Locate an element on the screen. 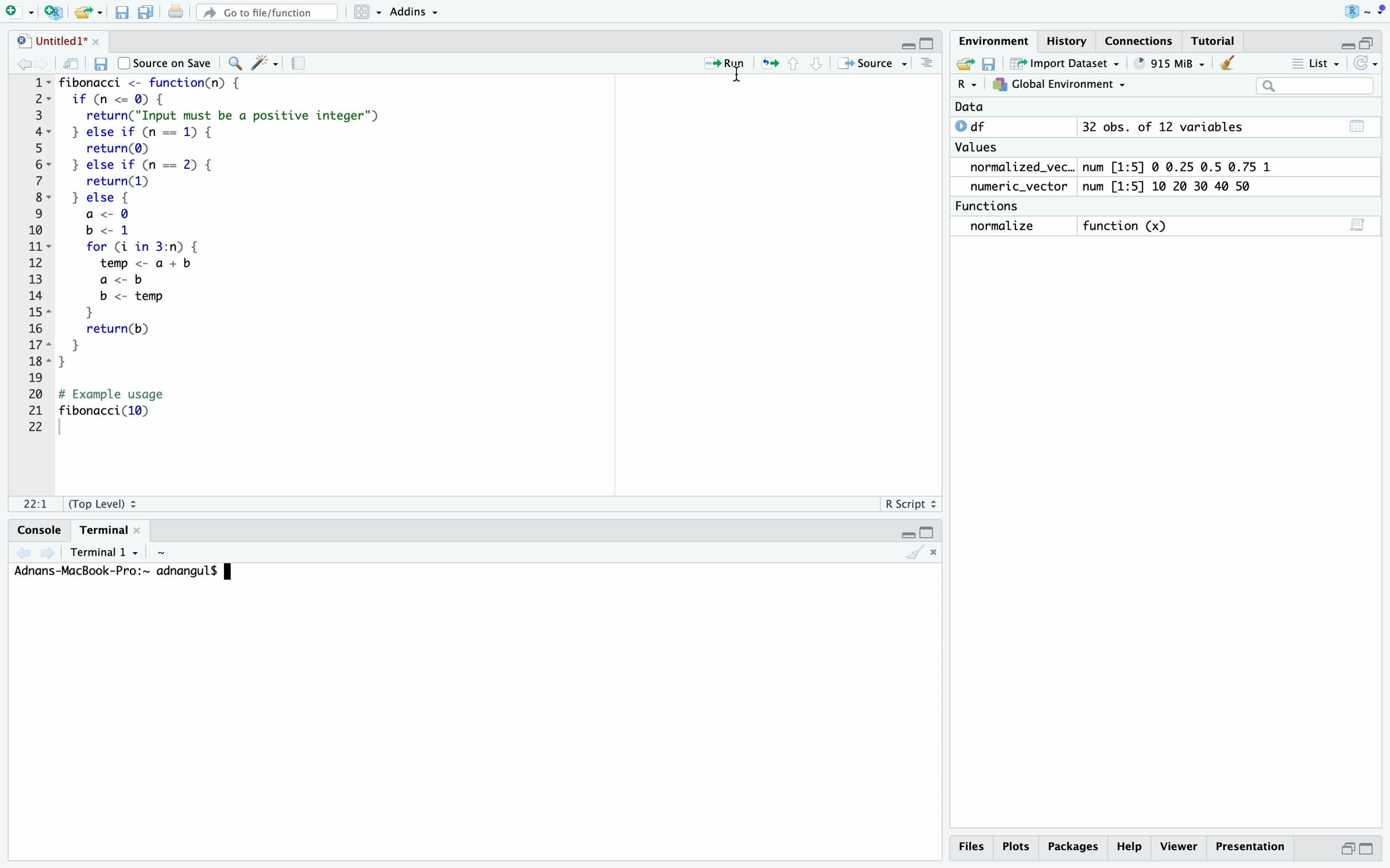 The image size is (1390, 868). print the current file is located at coordinates (177, 10).